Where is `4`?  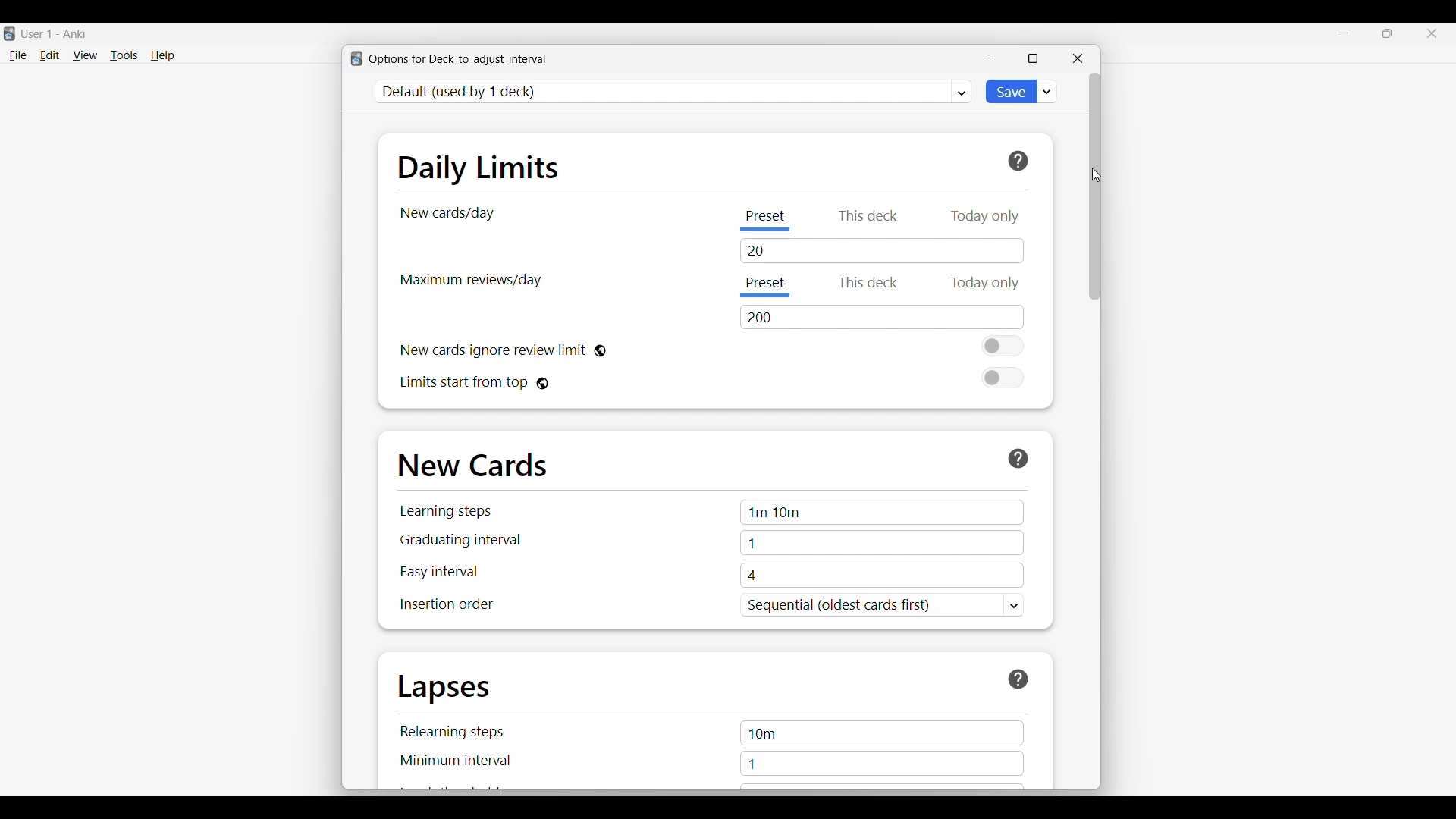
4 is located at coordinates (882, 576).